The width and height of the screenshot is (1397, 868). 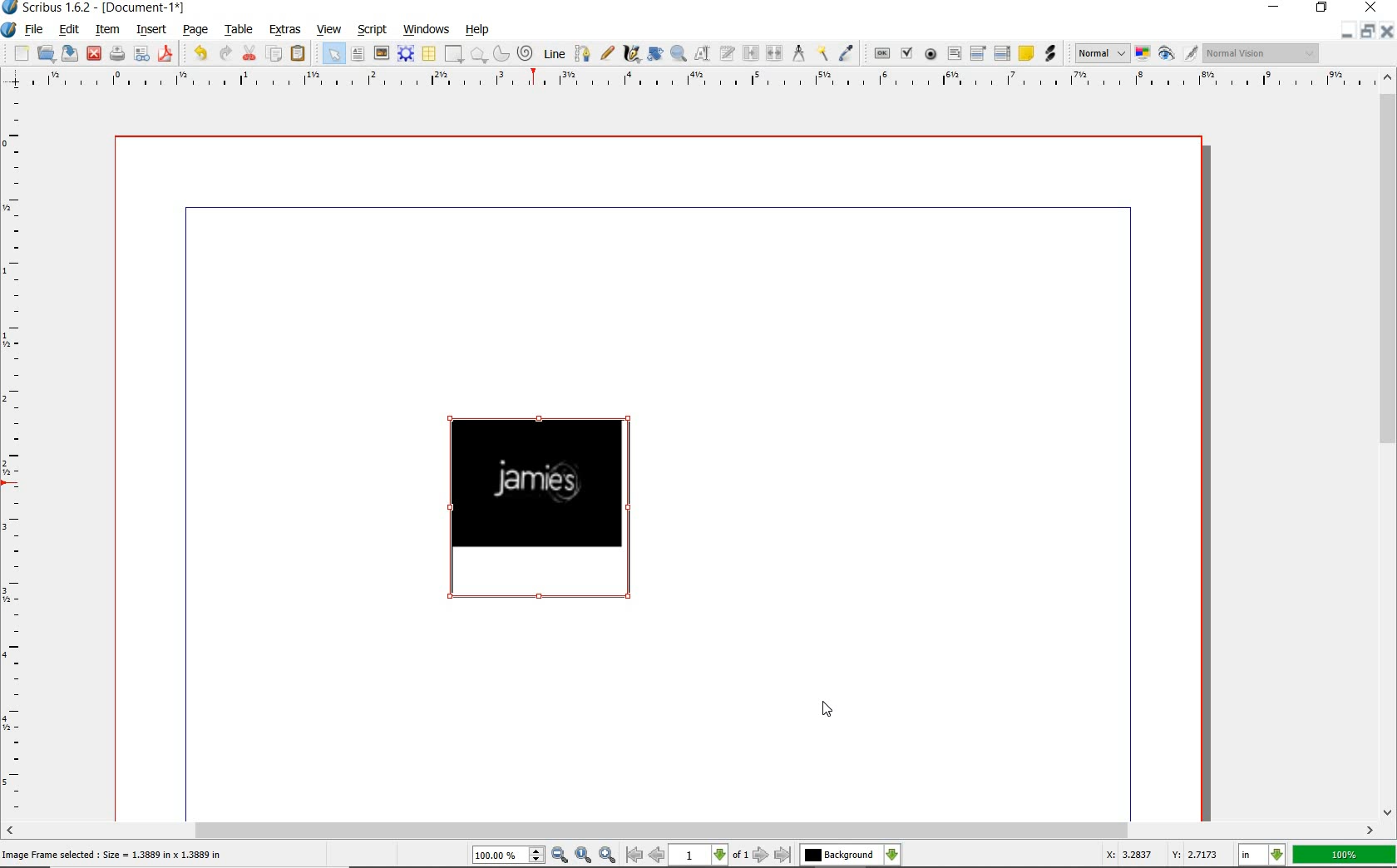 I want to click on image frame selected : size = 1.3889 in x 1.3889 in, so click(x=116, y=855).